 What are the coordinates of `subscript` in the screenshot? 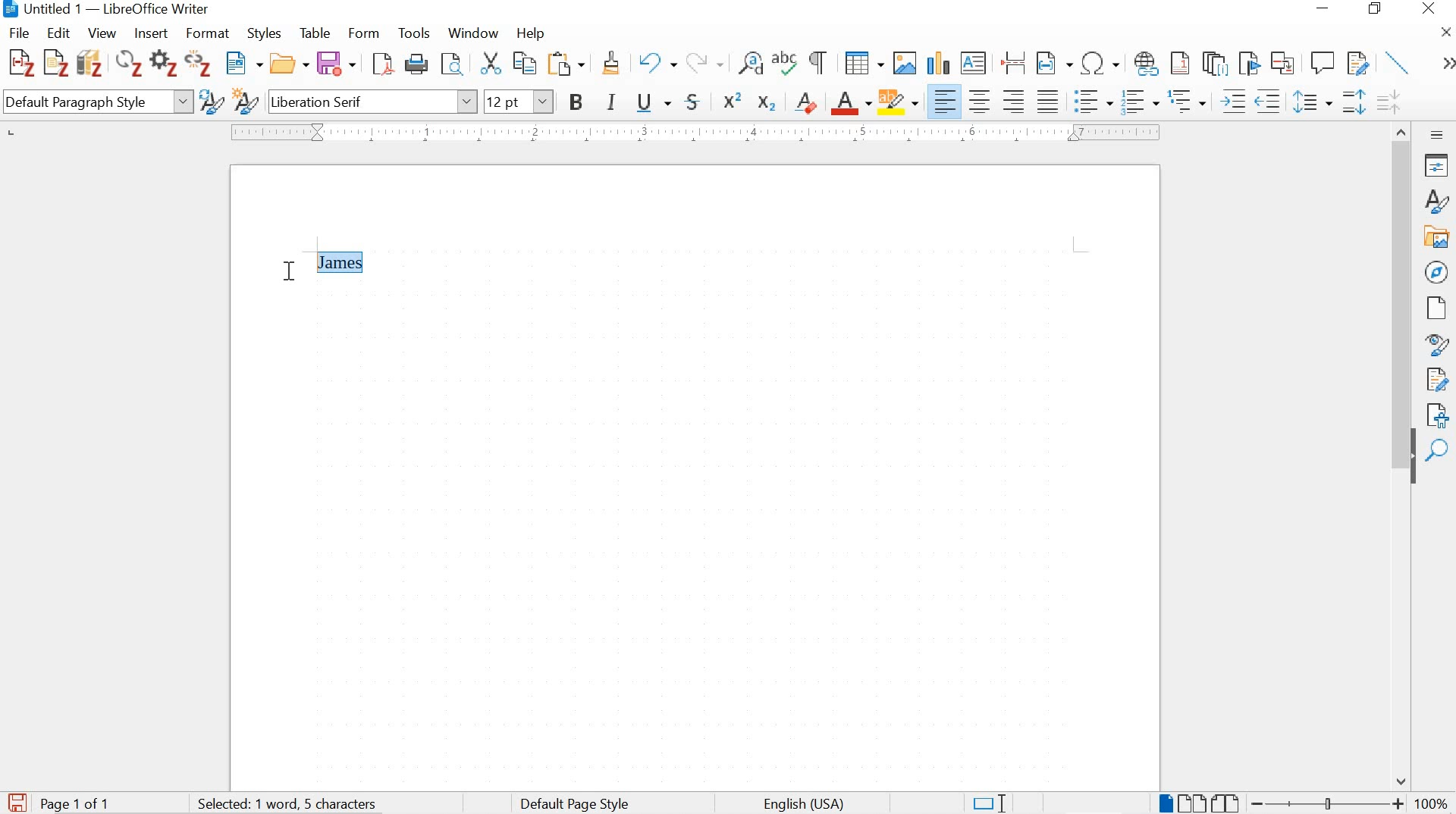 It's located at (765, 103).